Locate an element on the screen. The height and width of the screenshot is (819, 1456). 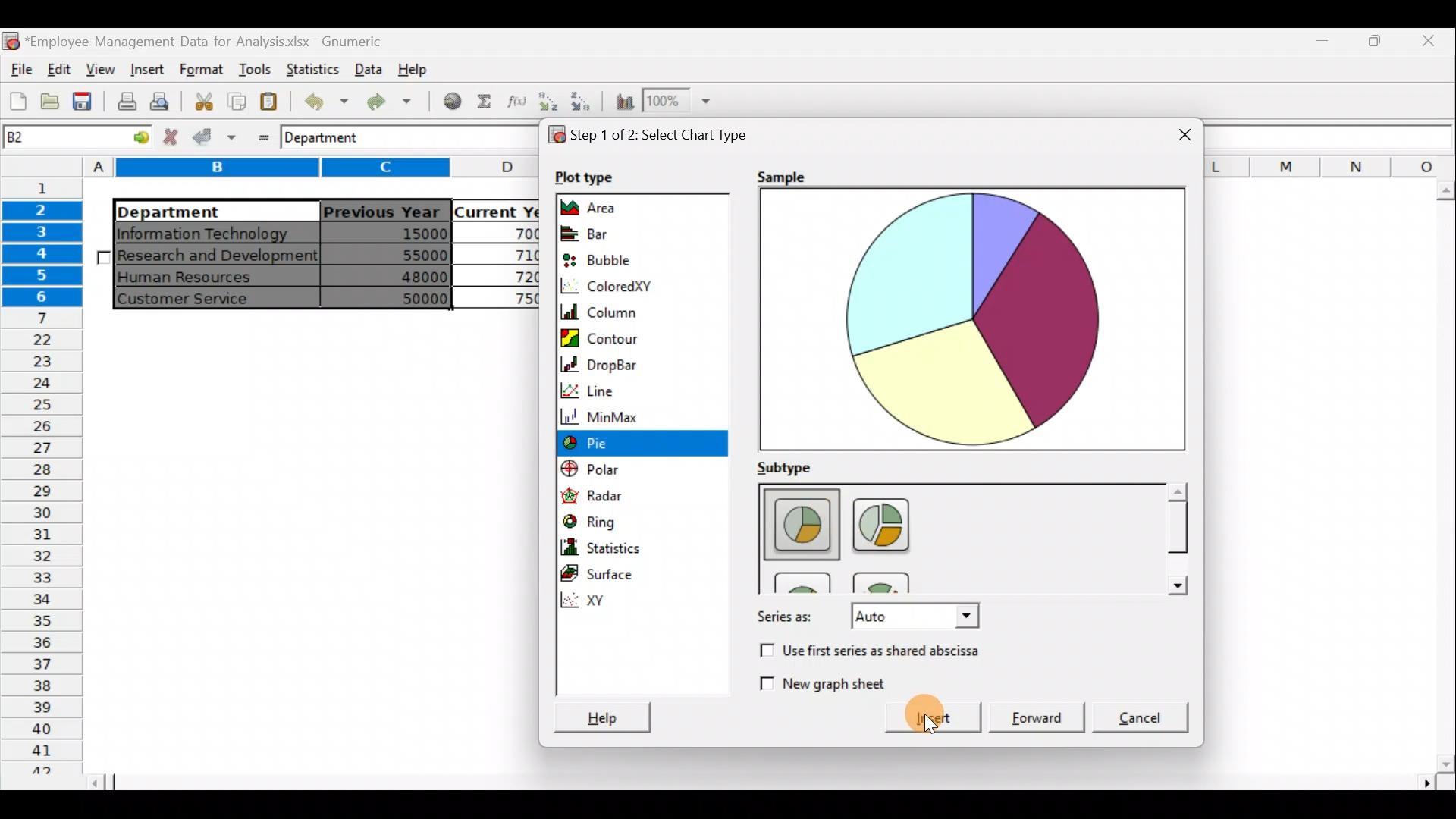
48000 is located at coordinates (399, 278).